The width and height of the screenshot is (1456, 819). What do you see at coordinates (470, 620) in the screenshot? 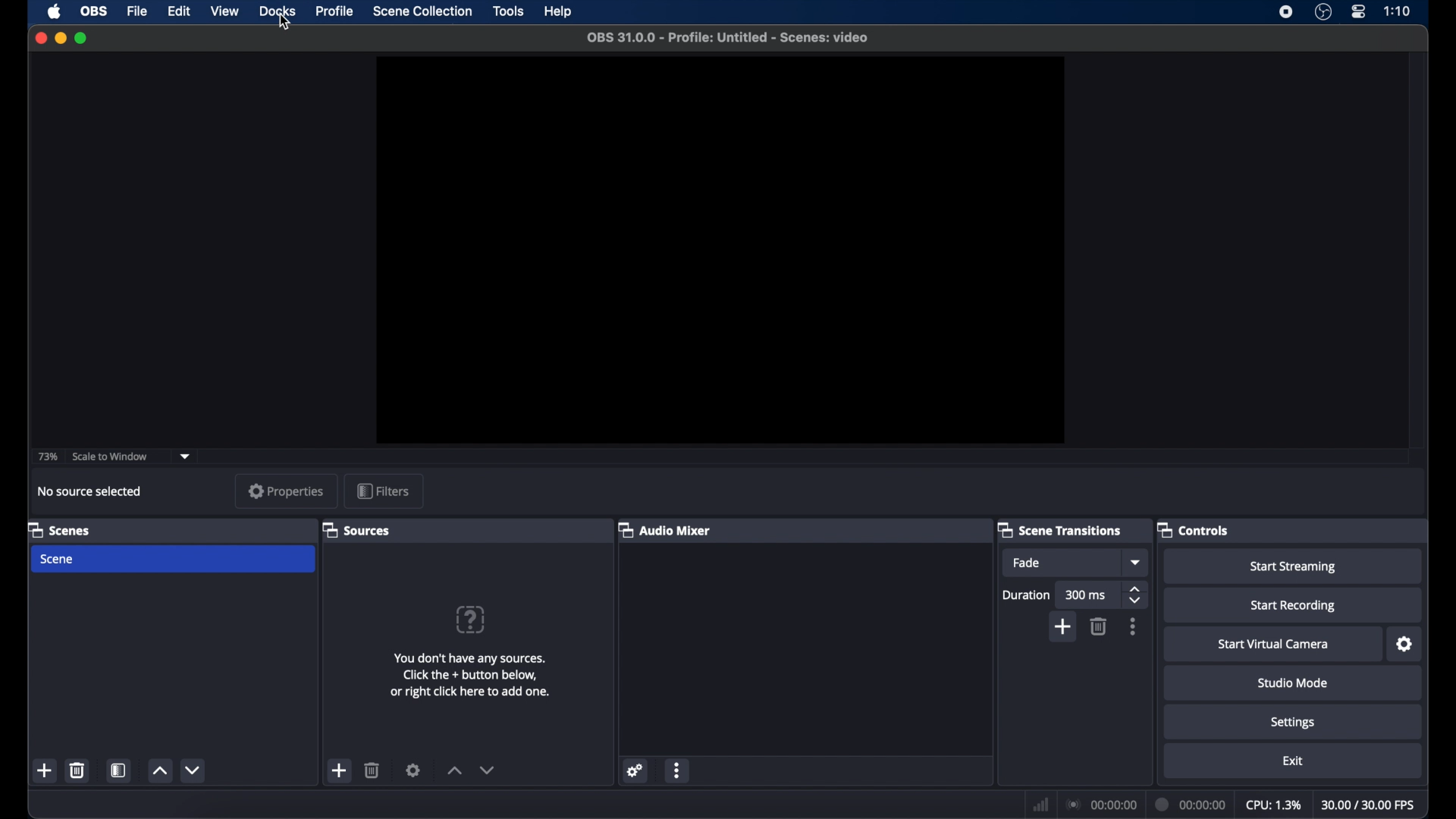
I see `question mark icon` at bounding box center [470, 620].